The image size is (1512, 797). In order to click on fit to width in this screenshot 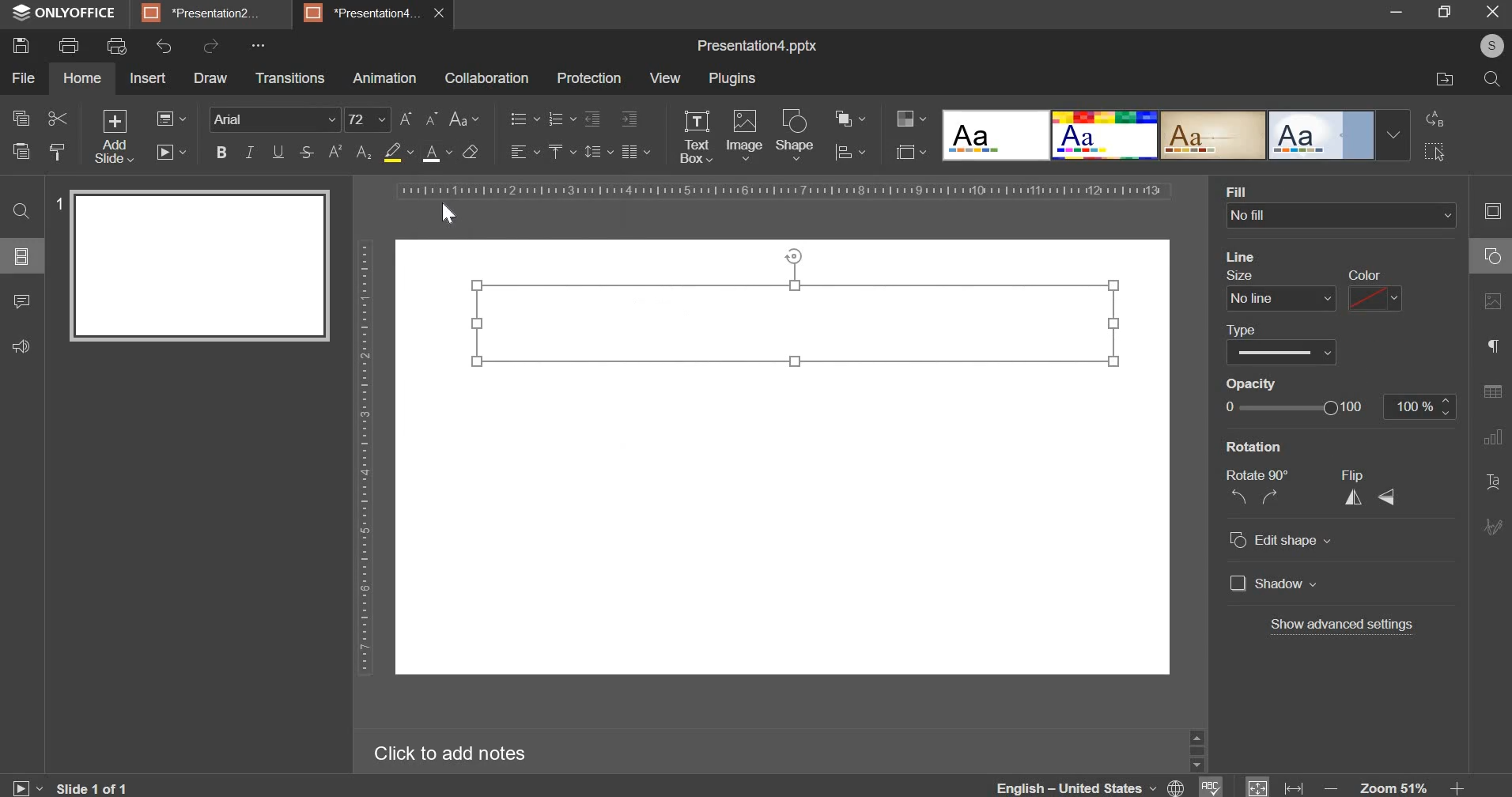, I will do `click(1295, 786)`.